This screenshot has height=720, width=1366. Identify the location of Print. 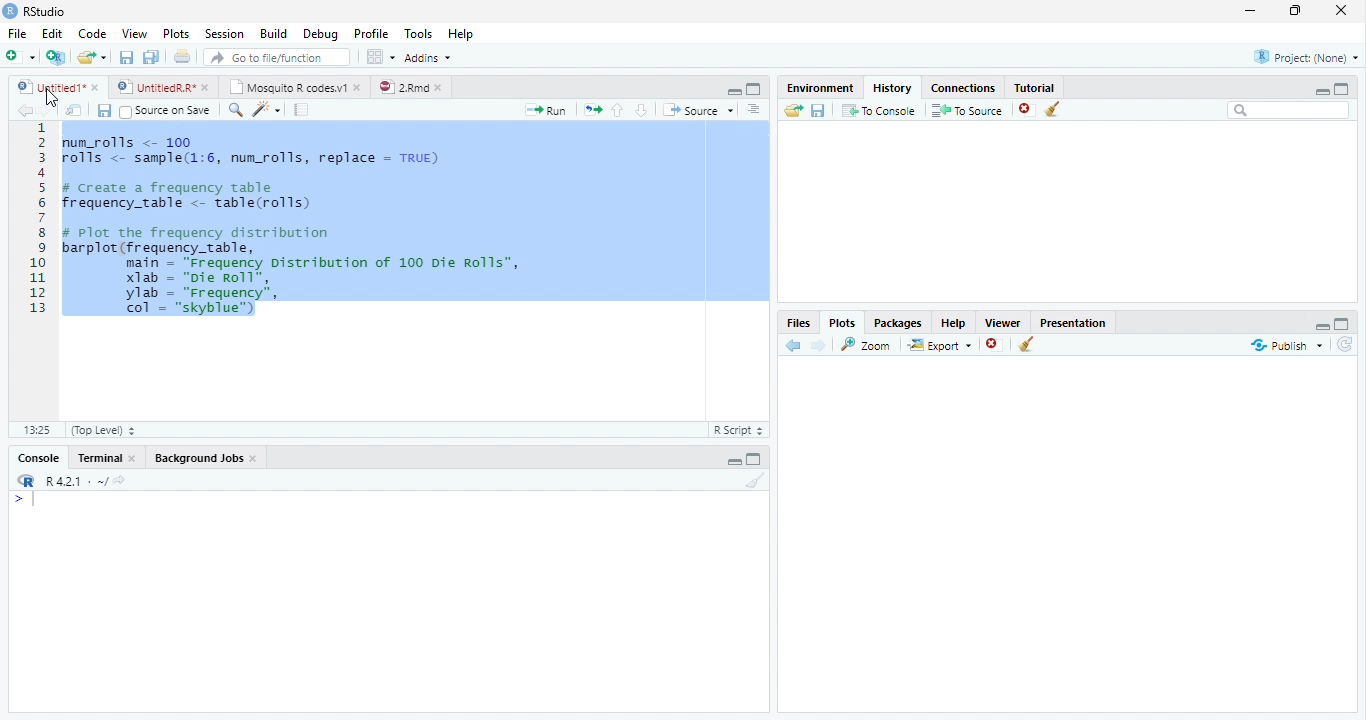
(182, 56).